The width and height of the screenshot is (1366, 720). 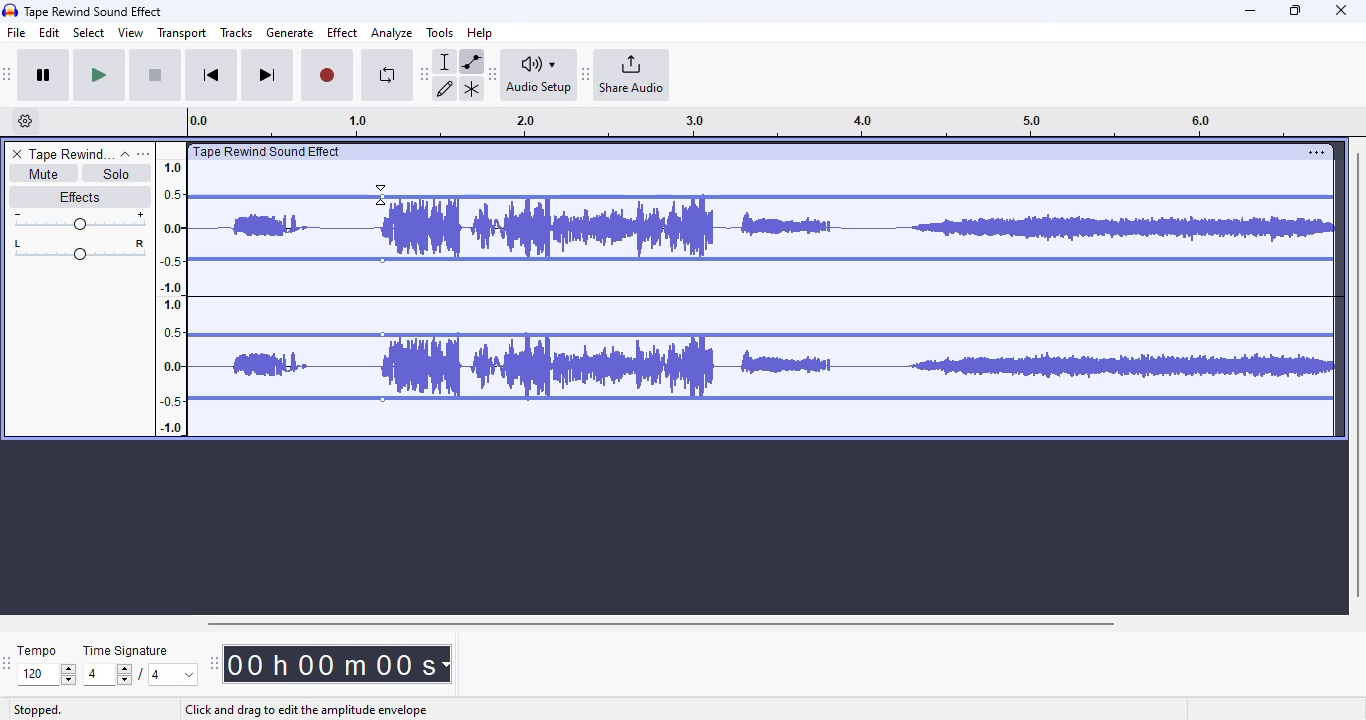 I want to click on Volume of the track reduced, so click(x=279, y=290).